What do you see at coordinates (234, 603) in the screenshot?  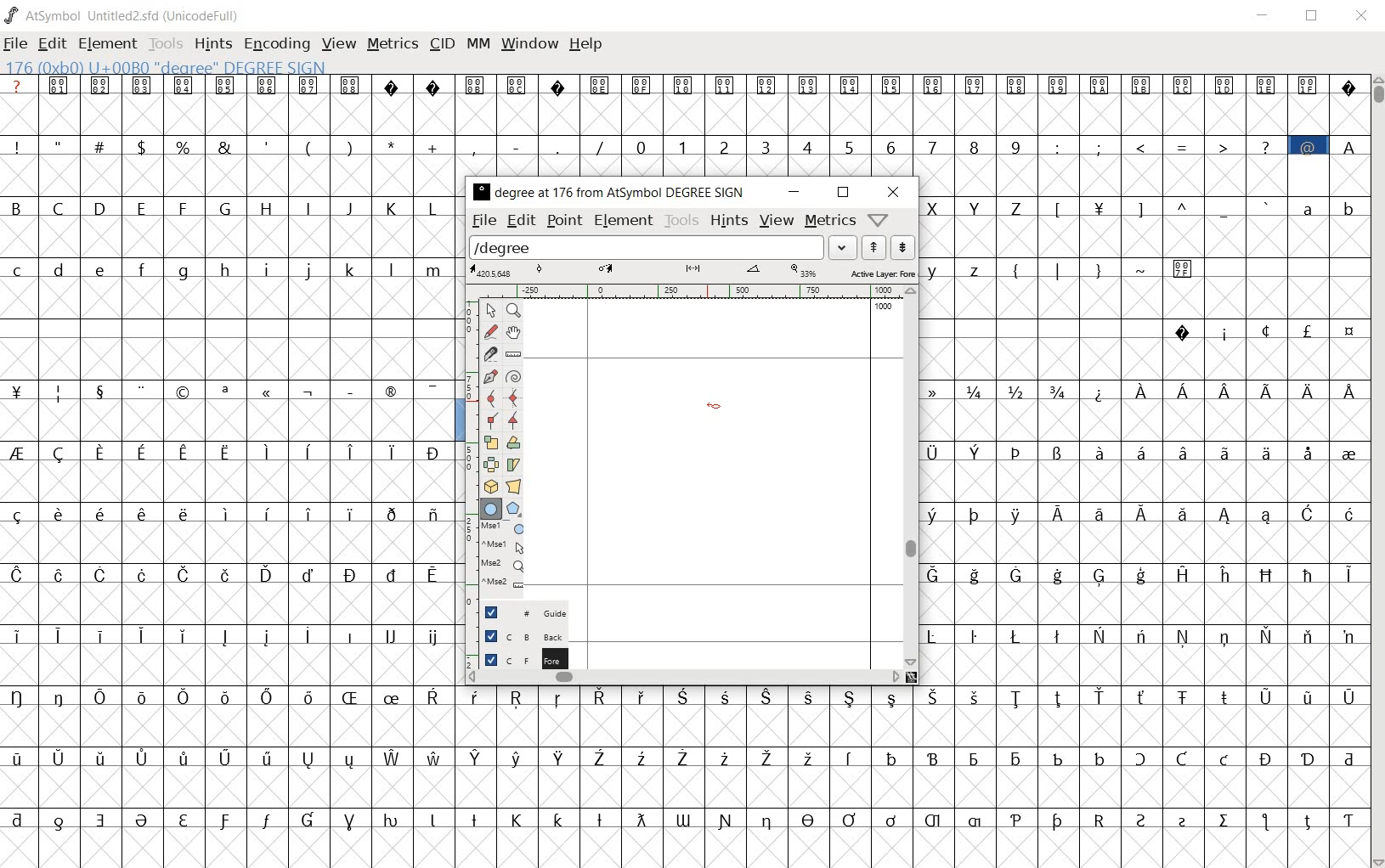 I see `empty glyph slots` at bounding box center [234, 603].